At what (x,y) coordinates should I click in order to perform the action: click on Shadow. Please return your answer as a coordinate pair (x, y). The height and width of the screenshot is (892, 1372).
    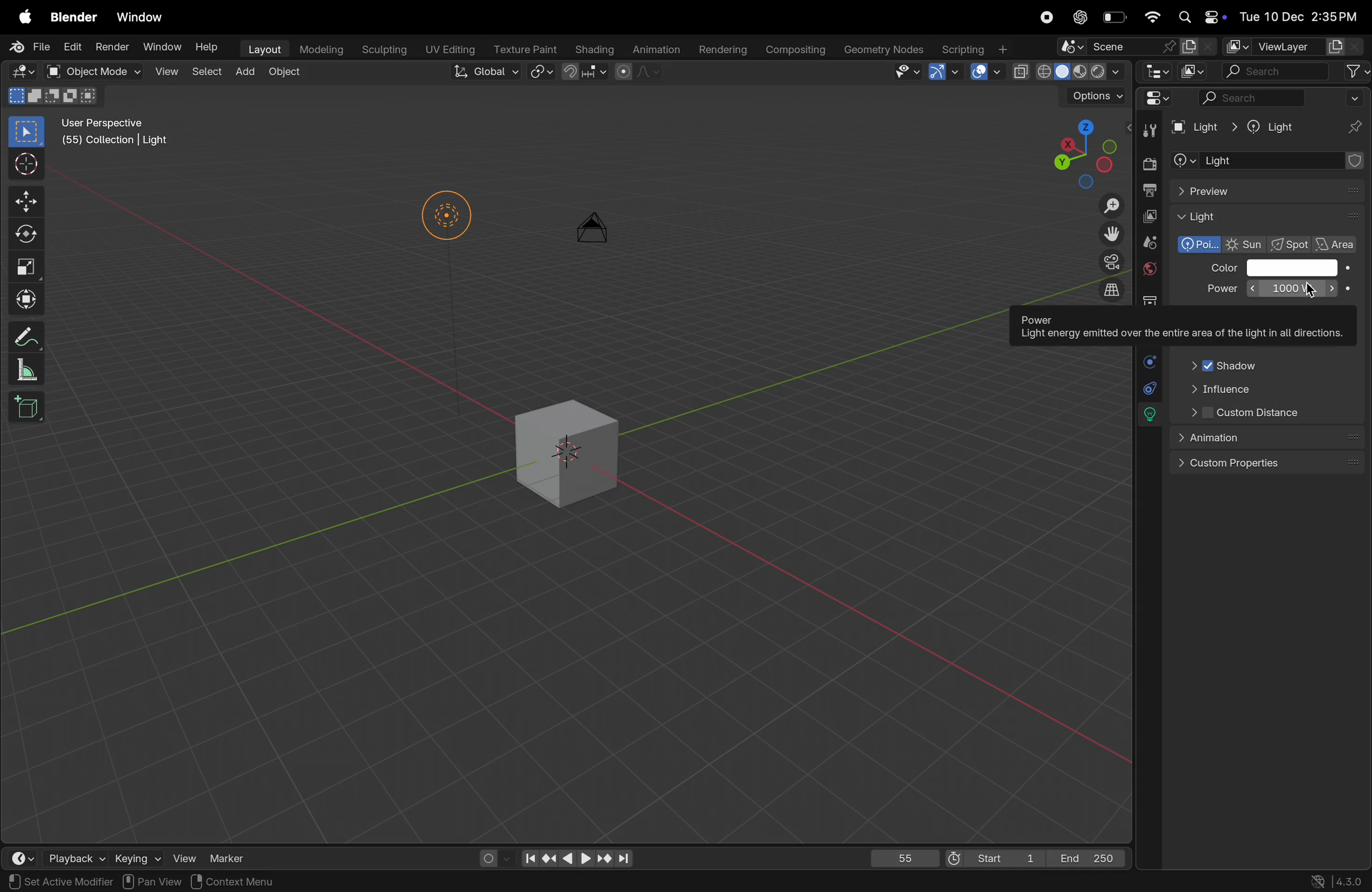
    Looking at the image, I should click on (1243, 364).